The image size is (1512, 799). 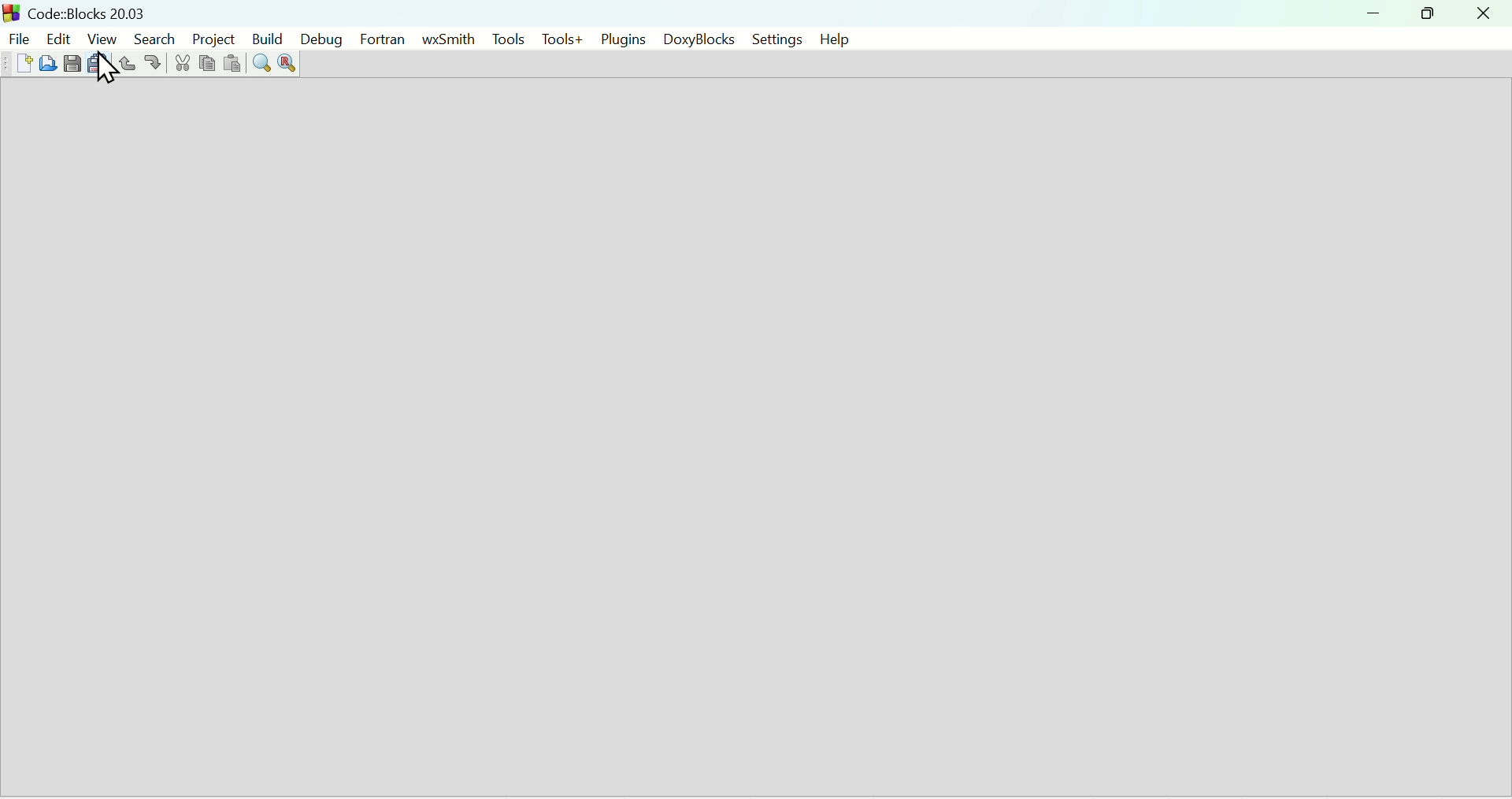 I want to click on Plugins, so click(x=623, y=37).